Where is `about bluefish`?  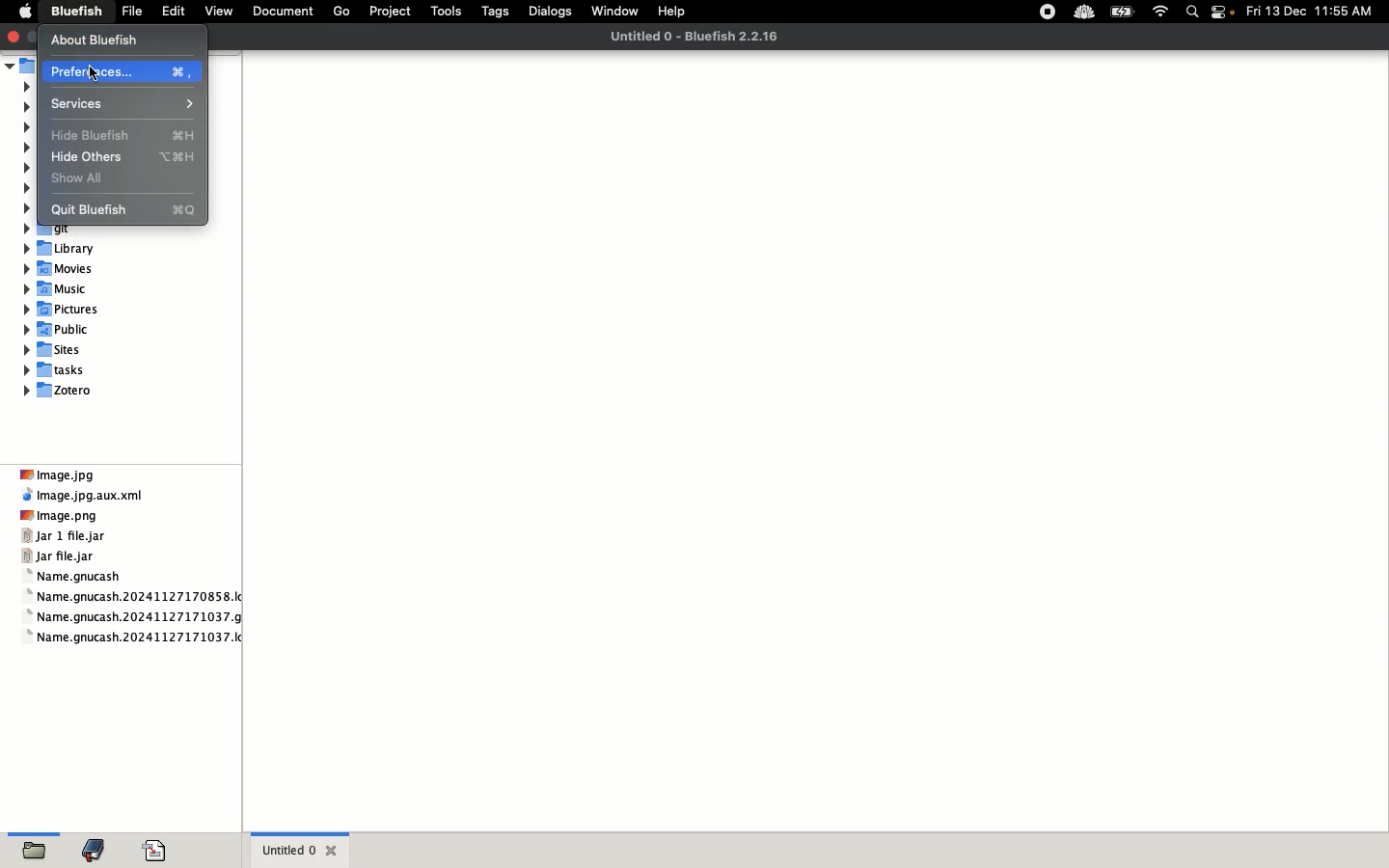 about bluefish is located at coordinates (118, 41).